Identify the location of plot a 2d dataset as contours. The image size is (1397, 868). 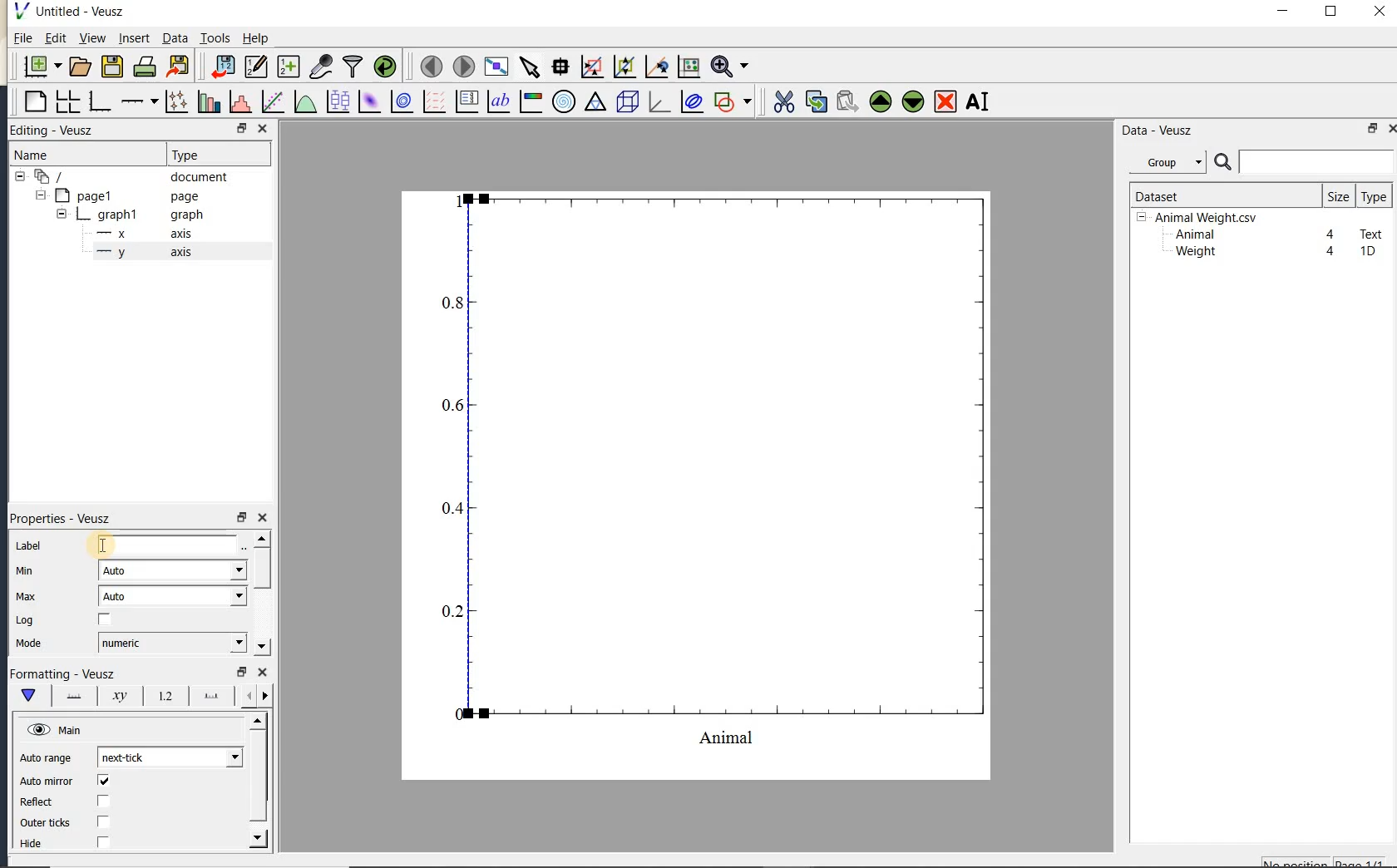
(400, 101).